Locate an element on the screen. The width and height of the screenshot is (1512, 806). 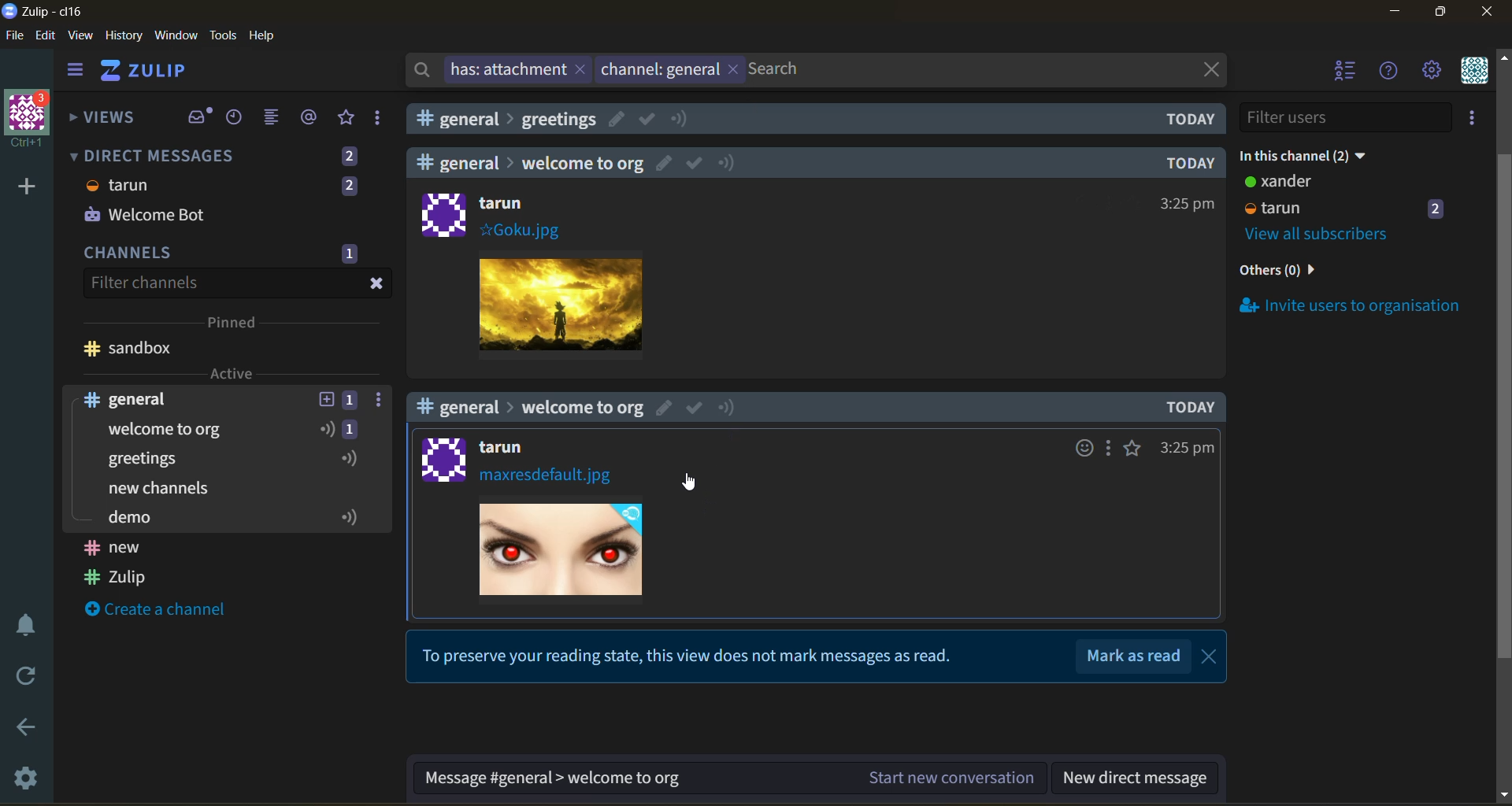
reload is located at coordinates (28, 673).